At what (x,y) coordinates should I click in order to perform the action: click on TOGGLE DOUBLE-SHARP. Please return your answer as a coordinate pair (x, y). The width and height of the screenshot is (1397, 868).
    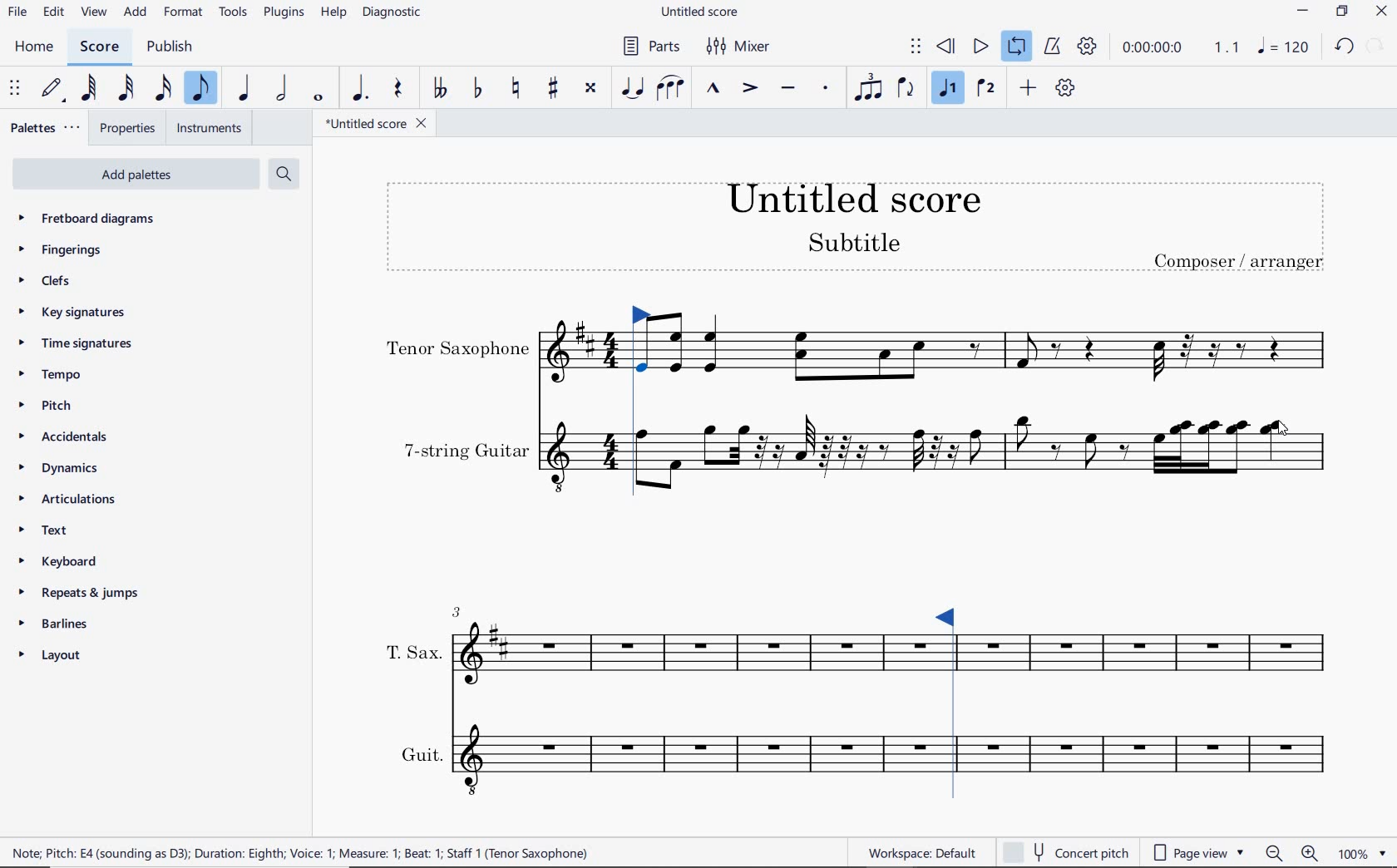
    Looking at the image, I should click on (590, 89).